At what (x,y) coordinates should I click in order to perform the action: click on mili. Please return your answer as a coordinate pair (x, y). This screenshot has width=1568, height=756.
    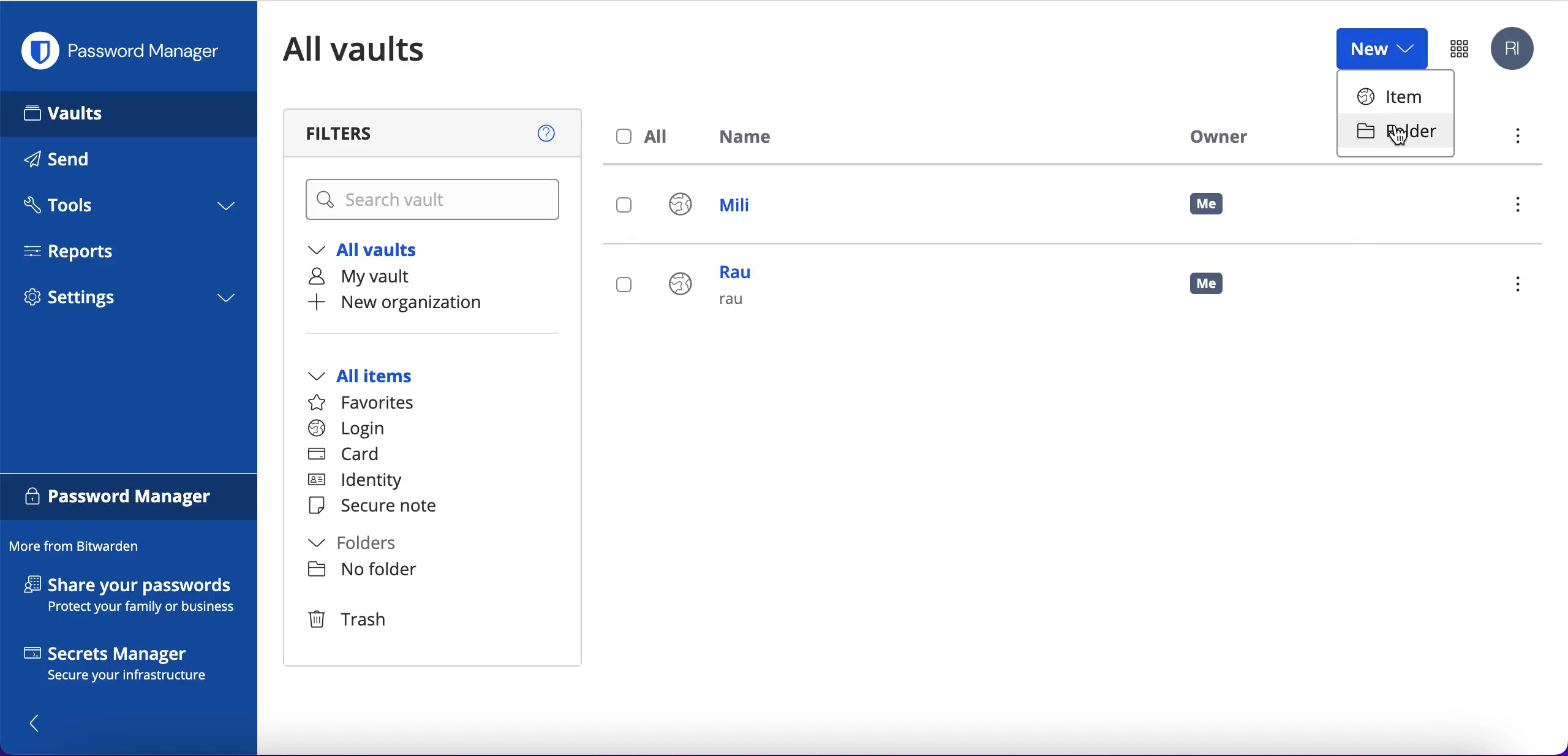
    Looking at the image, I should click on (722, 208).